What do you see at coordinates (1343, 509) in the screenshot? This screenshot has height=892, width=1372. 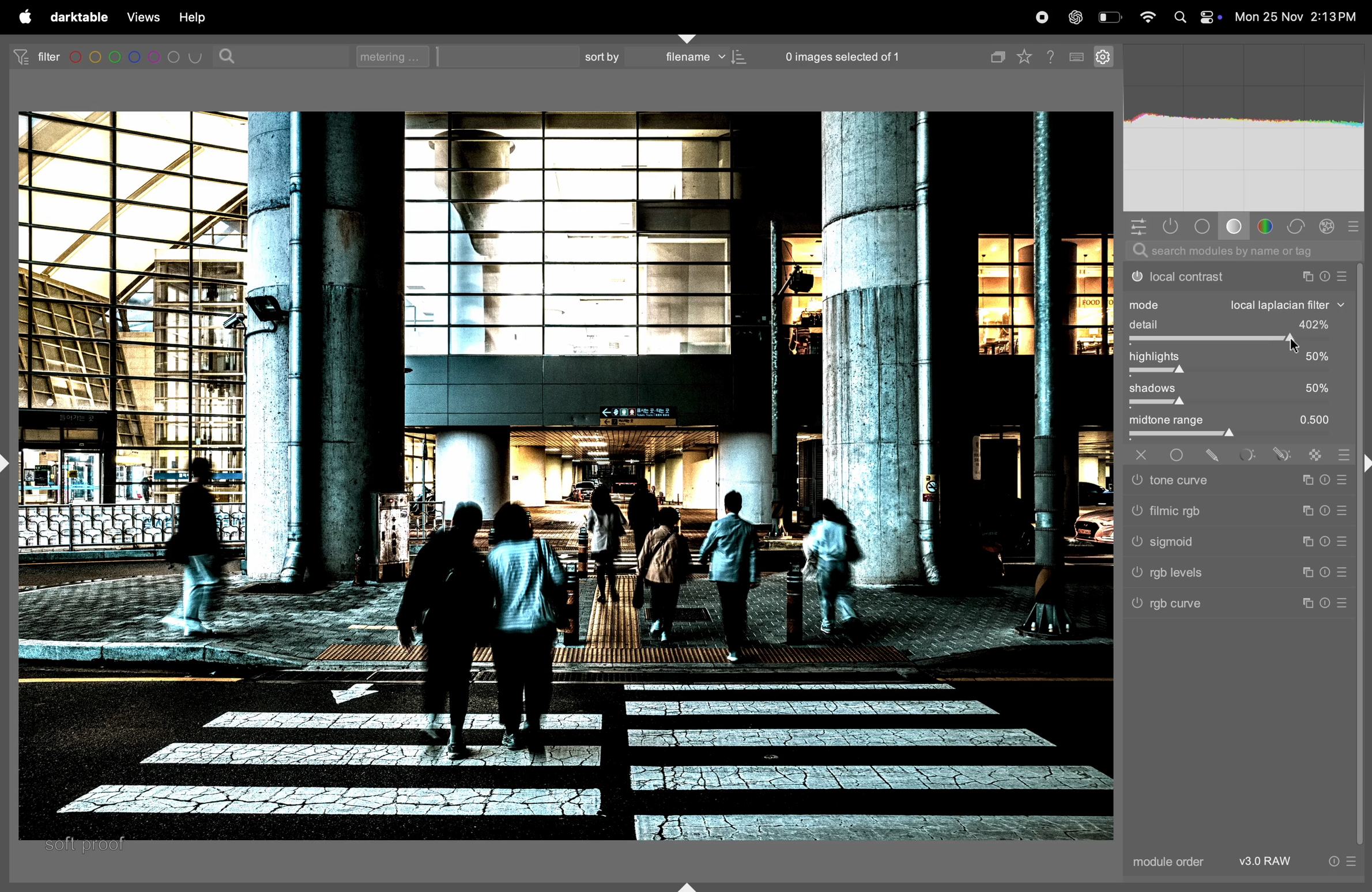 I see `preset` at bounding box center [1343, 509].